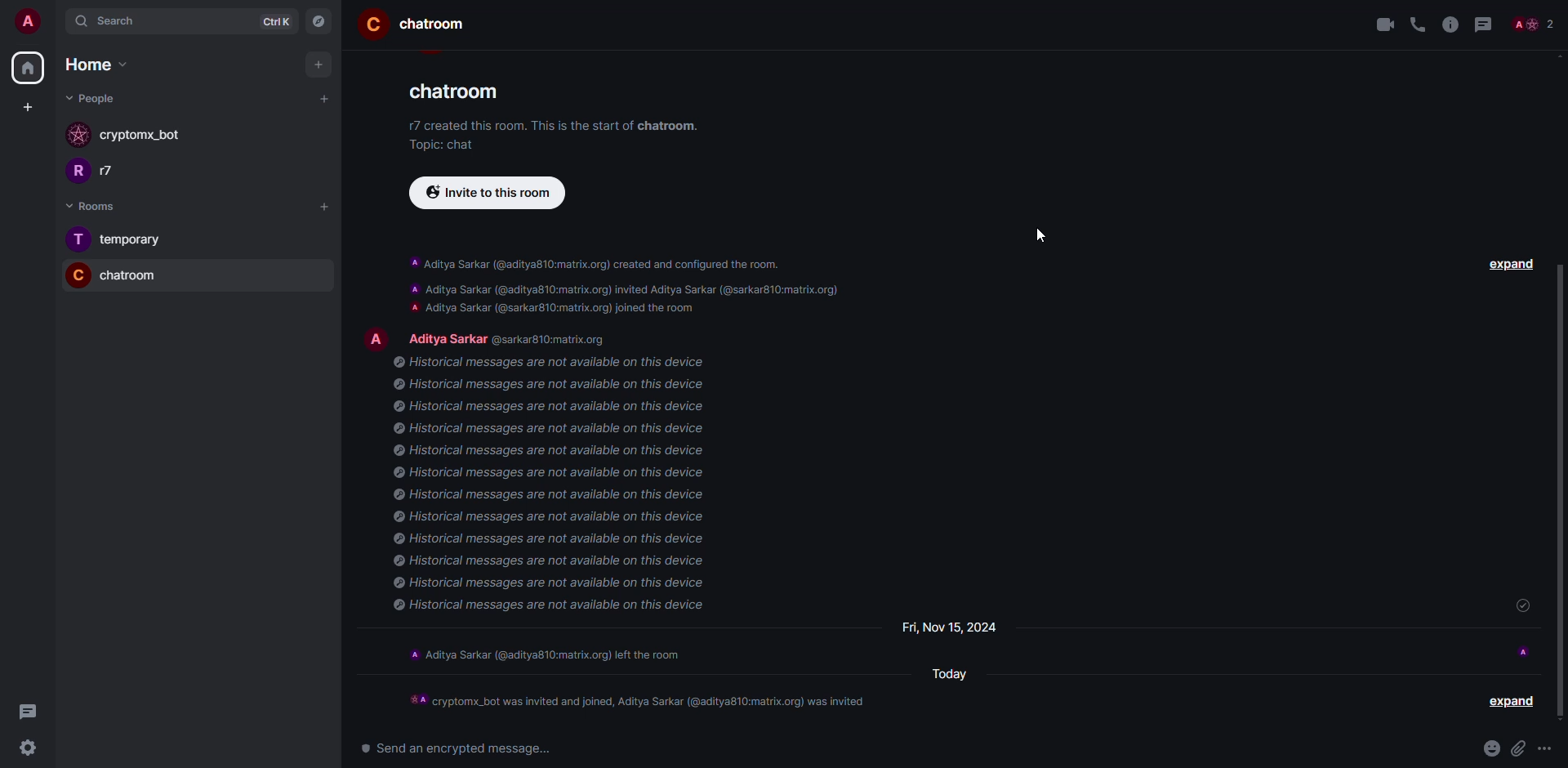  What do you see at coordinates (74, 275) in the screenshot?
I see `profile` at bounding box center [74, 275].